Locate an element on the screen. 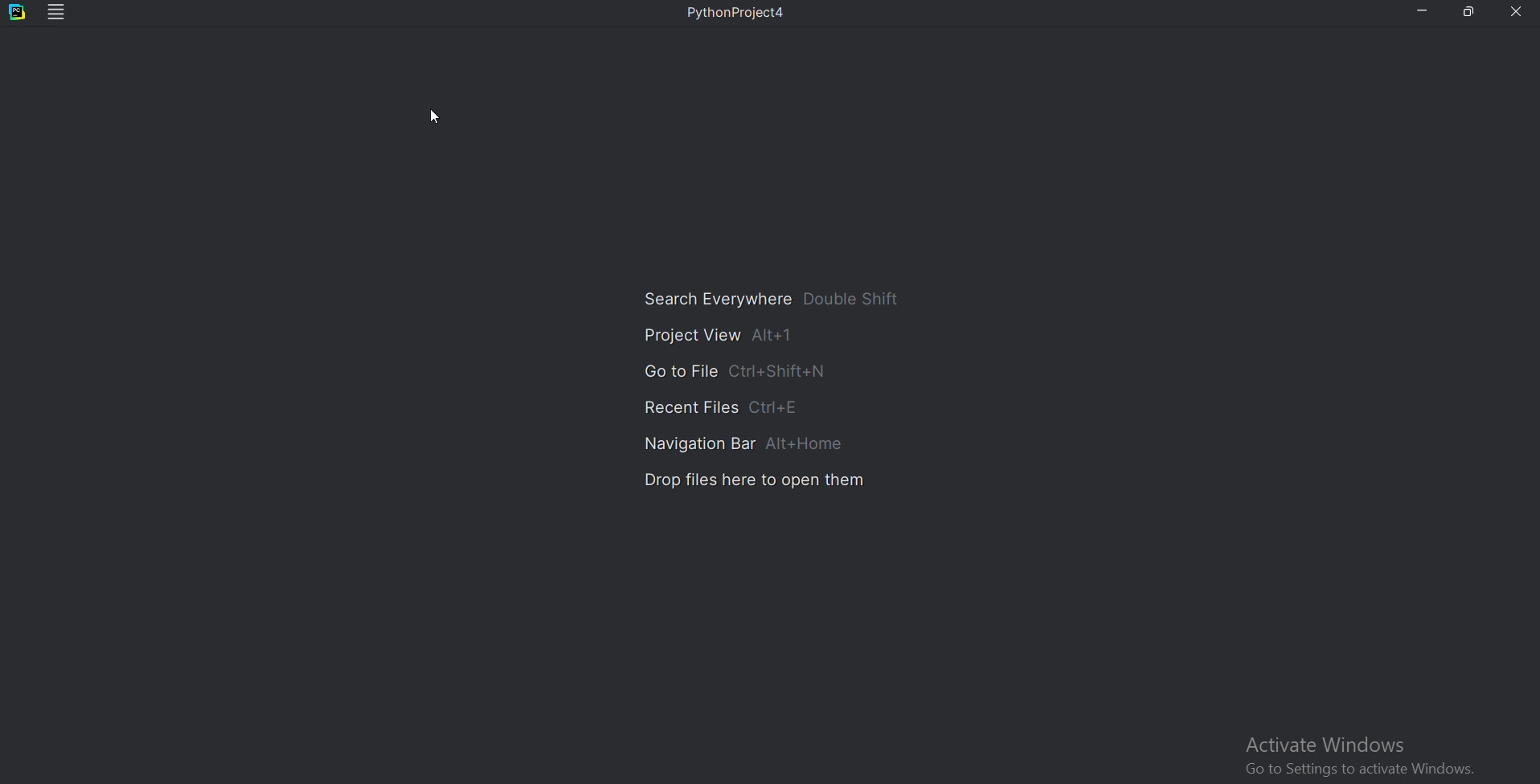 The image size is (1540, 784). Project view is located at coordinates (719, 337).